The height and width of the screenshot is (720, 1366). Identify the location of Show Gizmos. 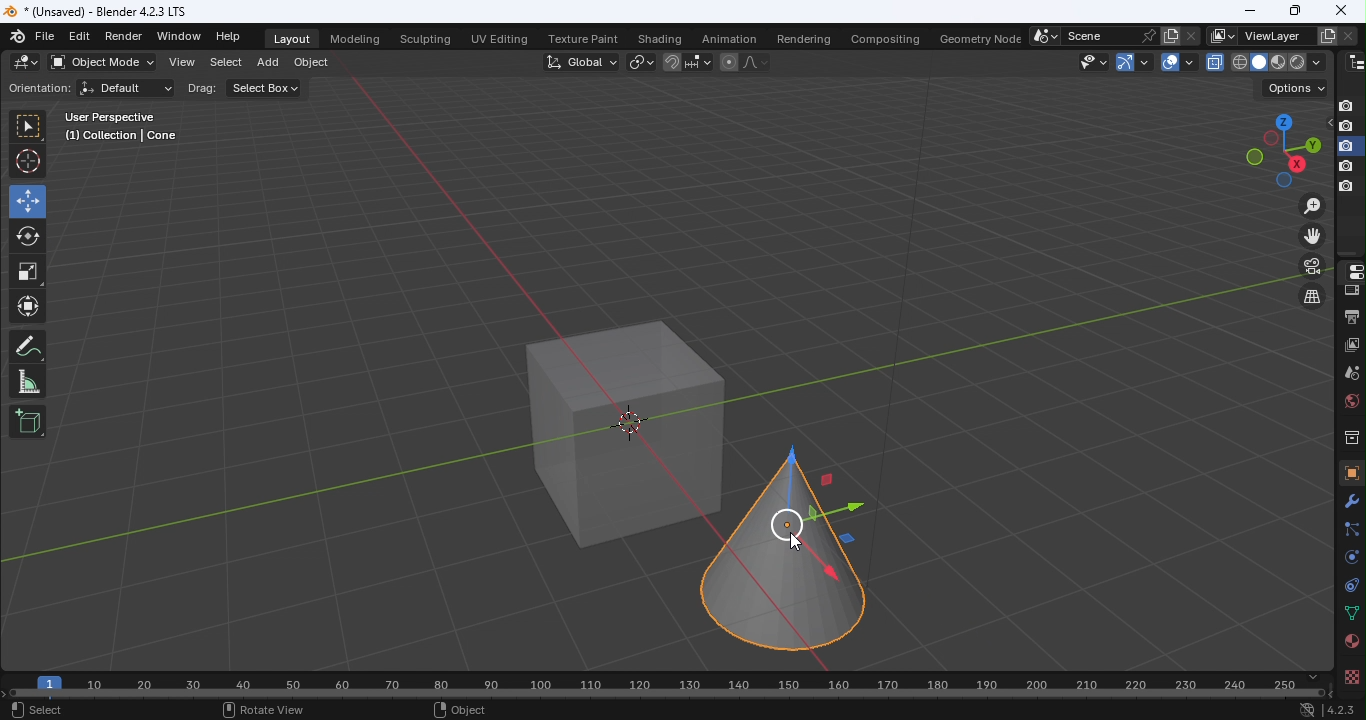
(1145, 61).